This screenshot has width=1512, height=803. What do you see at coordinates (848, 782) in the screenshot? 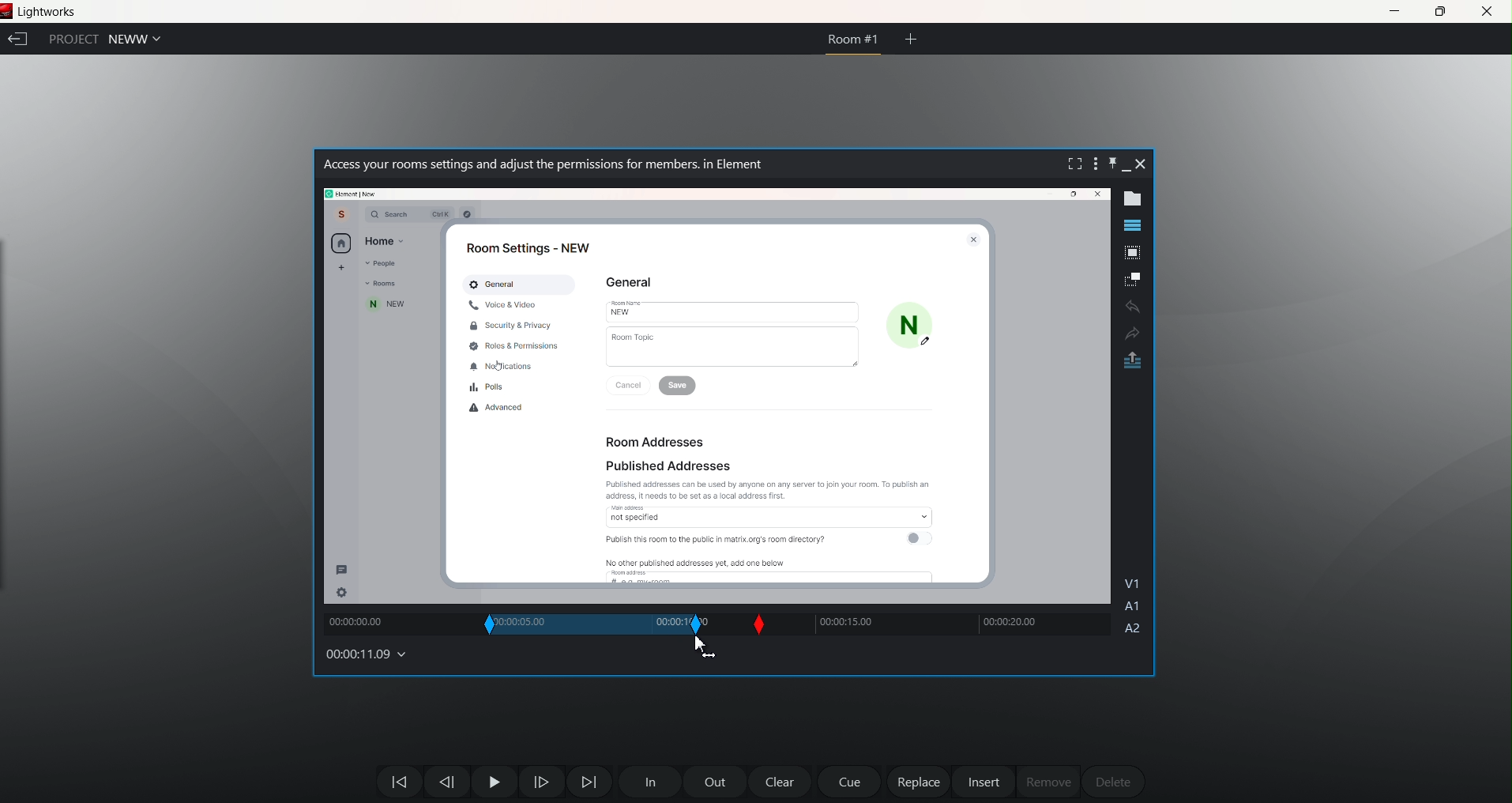
I see `cue` at bounding box center [848, 782].